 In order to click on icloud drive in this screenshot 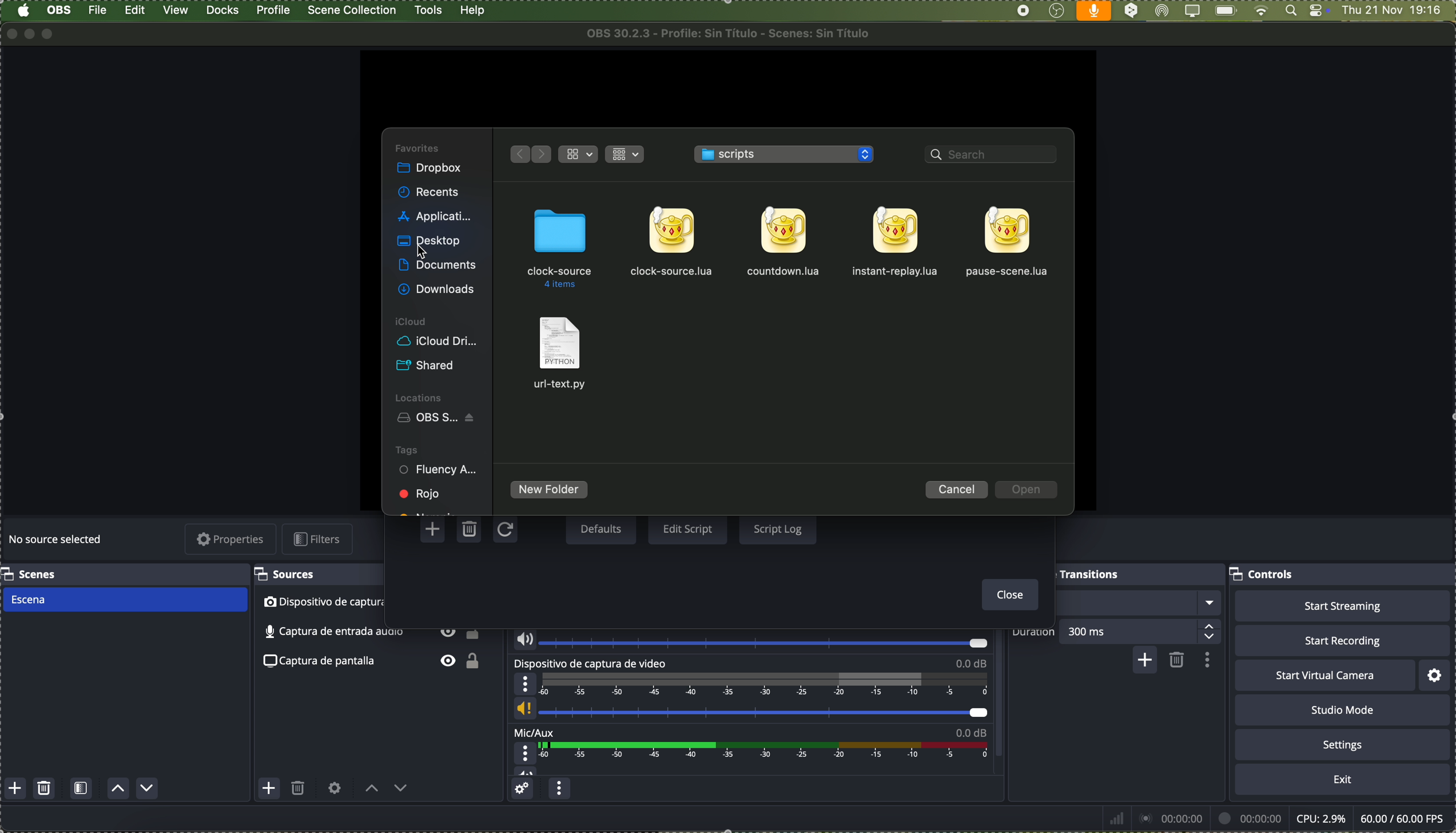, I will do `click(437, 342)`.